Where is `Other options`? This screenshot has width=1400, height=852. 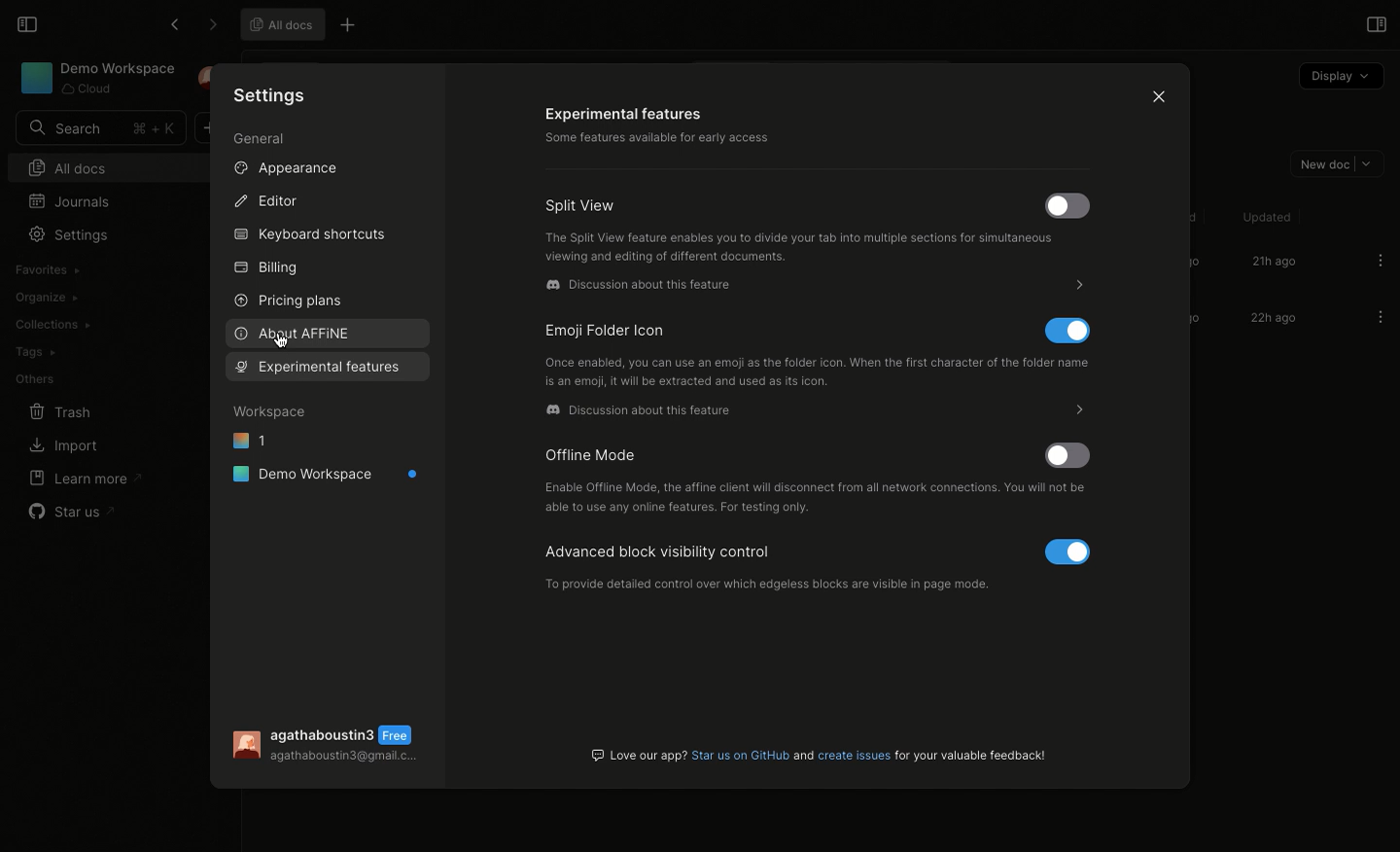
Other options is located at coordinates (350, 27).